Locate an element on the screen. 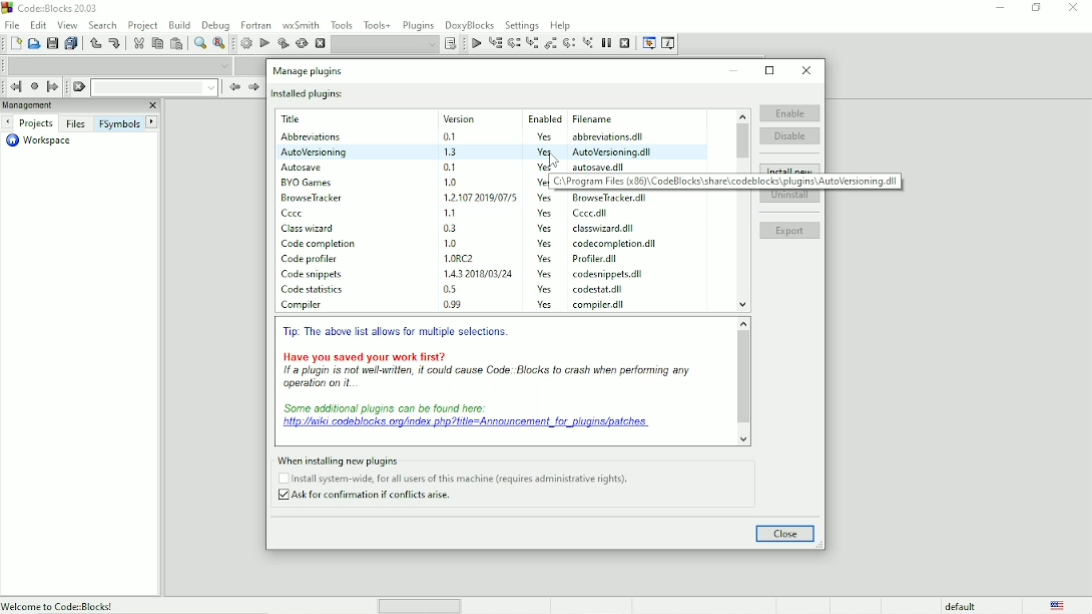 This screenshot has height=614, width=1092. Cut is located at coordinates (137, 43).